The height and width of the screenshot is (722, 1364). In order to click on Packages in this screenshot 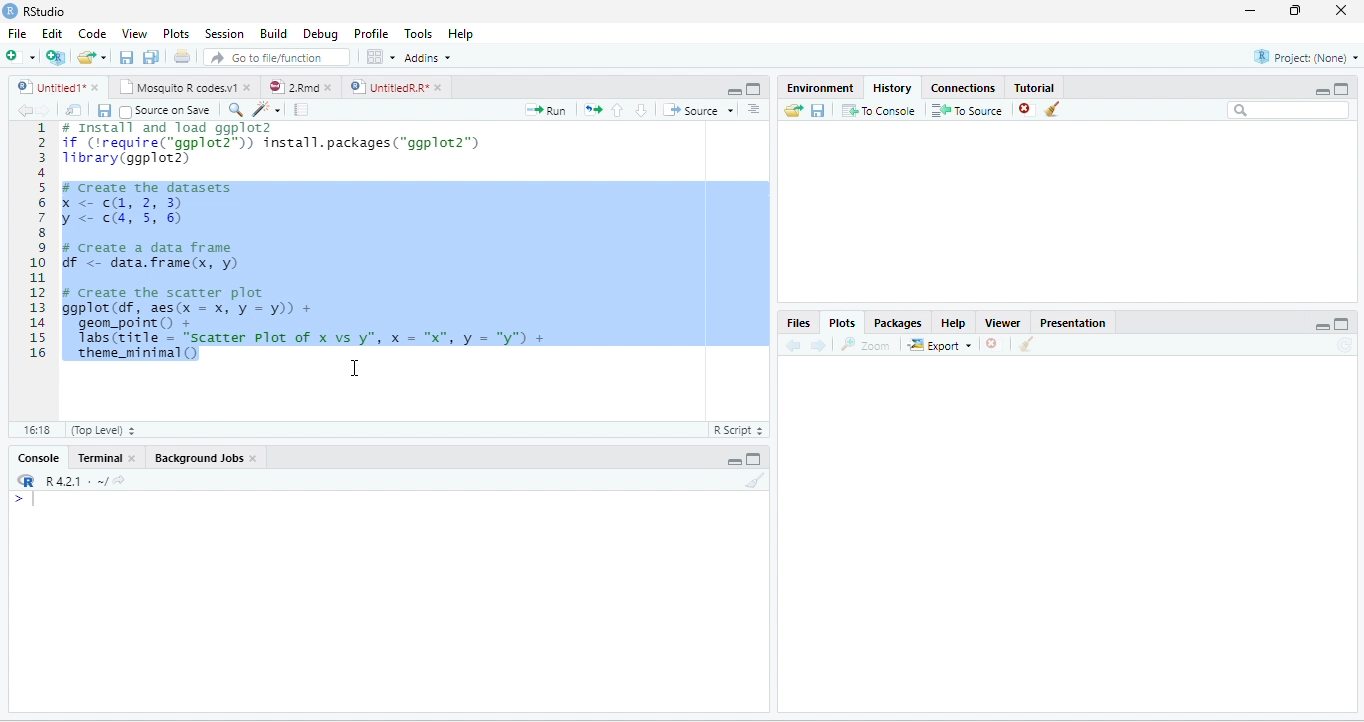, I will do `click(896, 322)`.